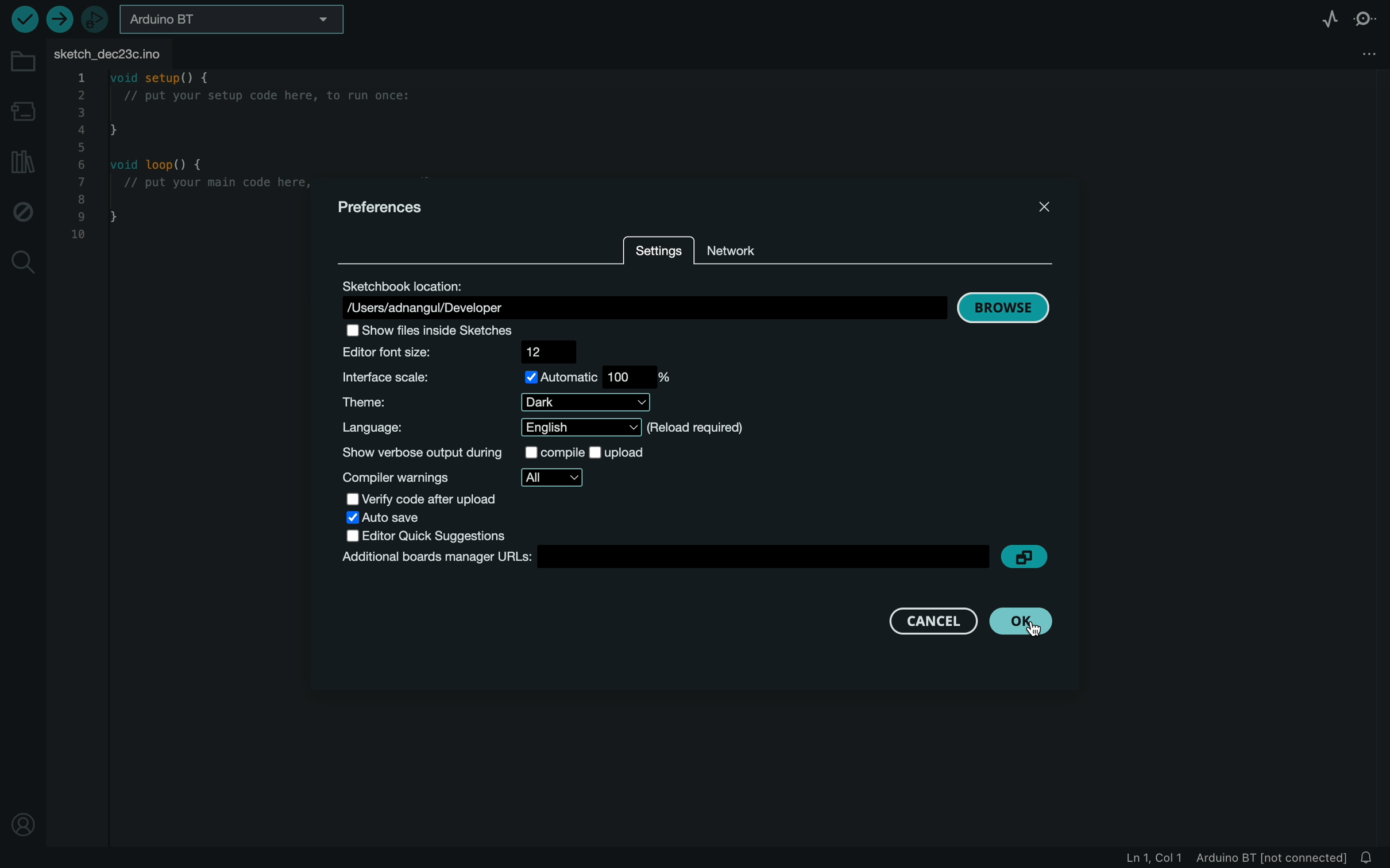 This screenshot has height=868, width=1390. I want to click on FILE TAB, so click(115, 56).